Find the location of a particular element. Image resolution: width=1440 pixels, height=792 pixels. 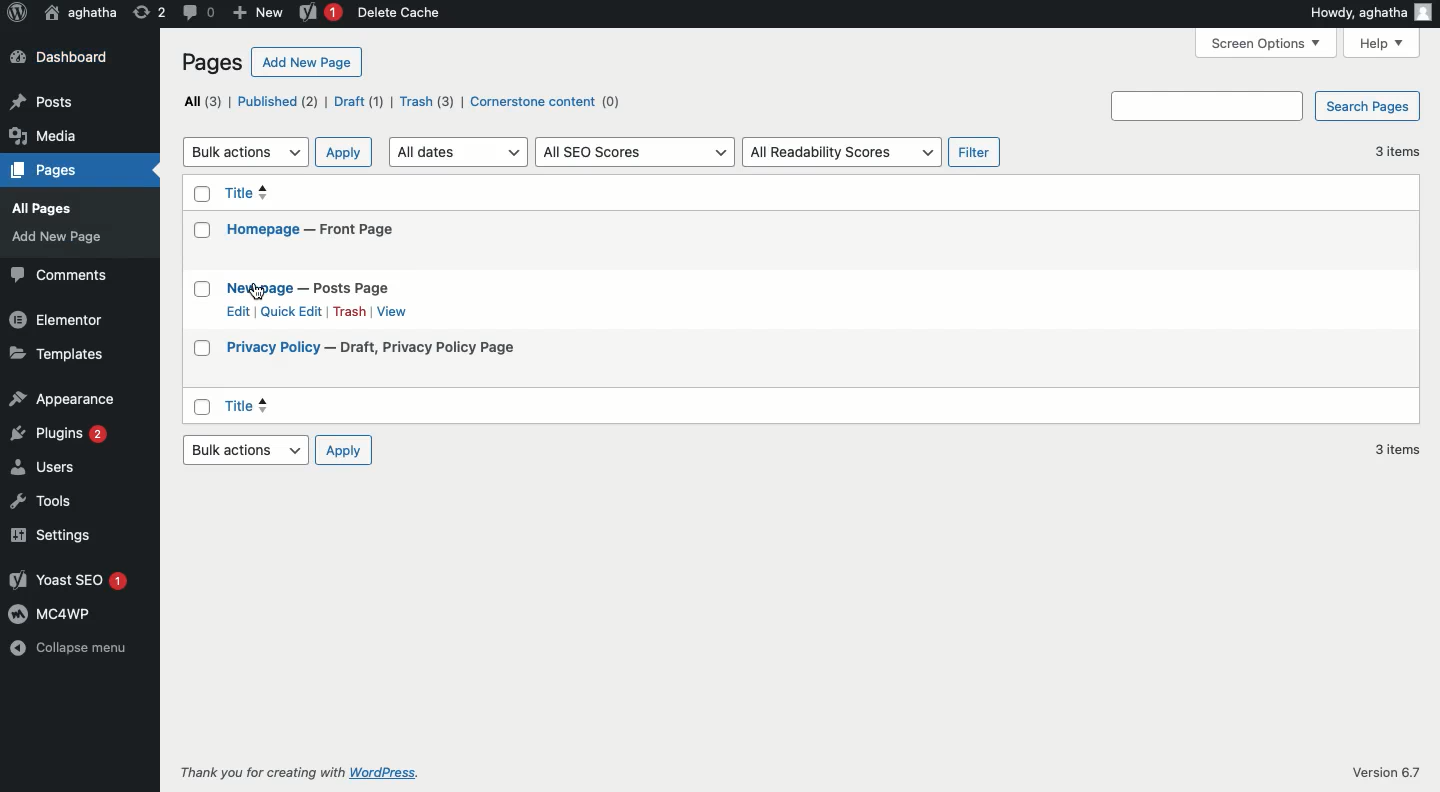

Add new page is located at coordinates (305, 62).